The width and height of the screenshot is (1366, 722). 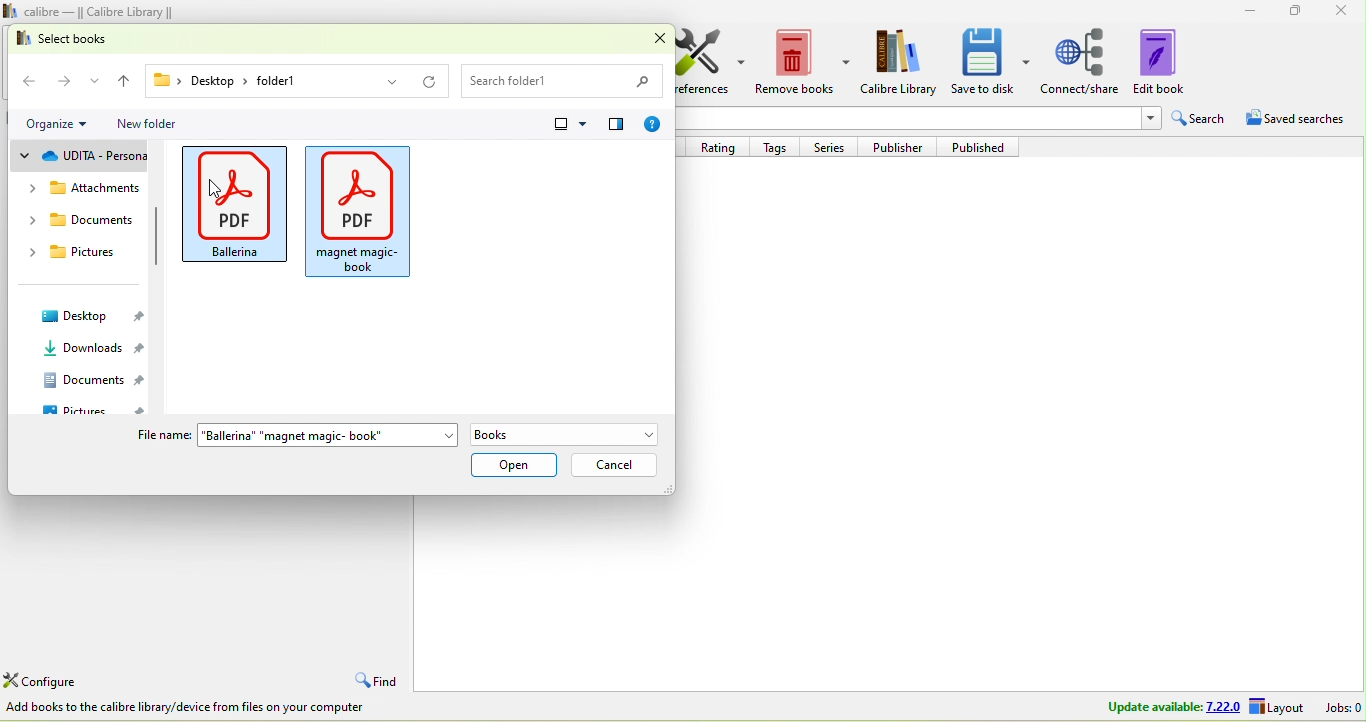 I want to click on calibre- calibre library, so click(x=105, y=11).